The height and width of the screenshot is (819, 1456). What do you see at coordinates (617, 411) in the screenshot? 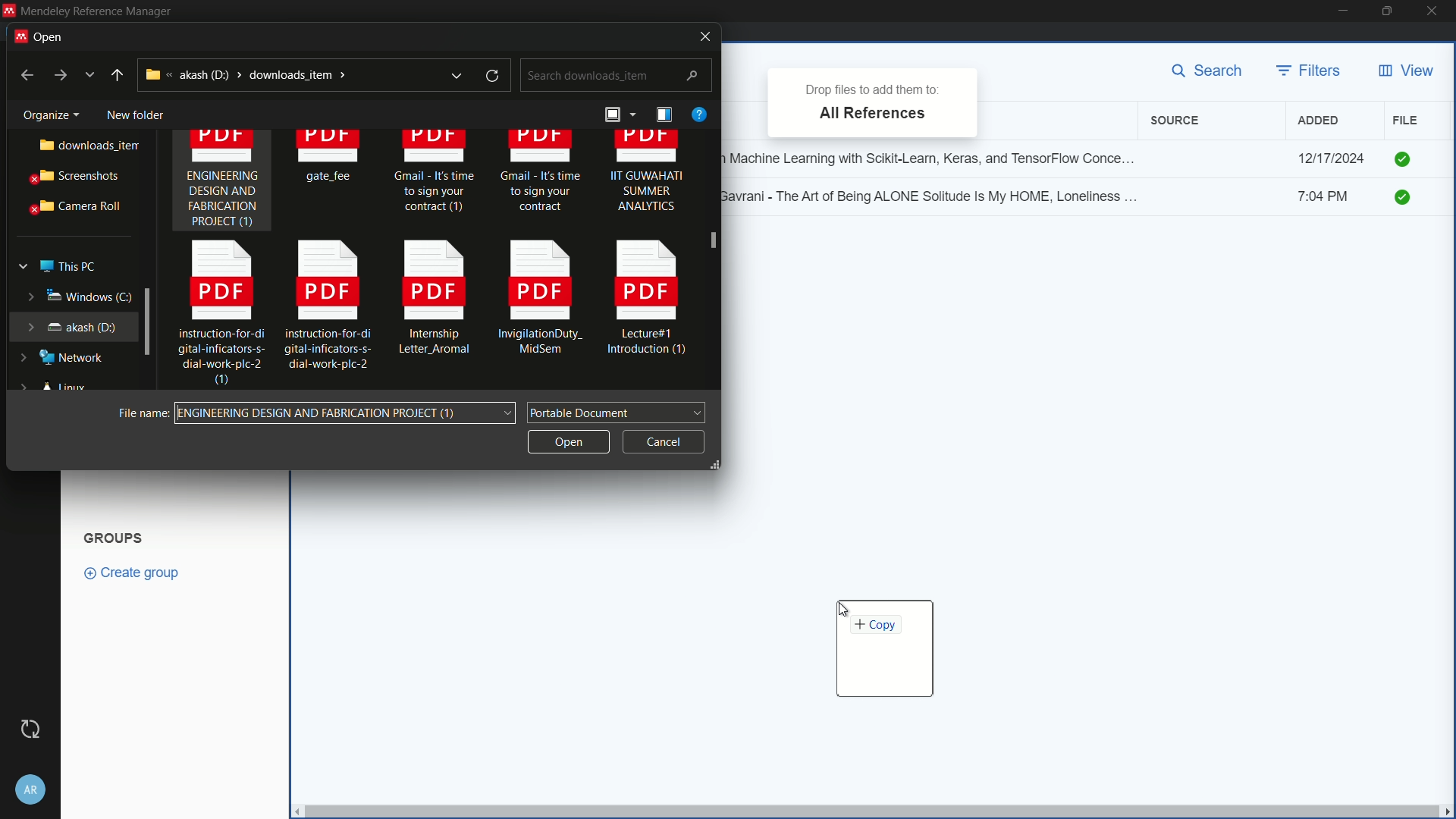
I see `portable document` at bounding box center [617, 411].